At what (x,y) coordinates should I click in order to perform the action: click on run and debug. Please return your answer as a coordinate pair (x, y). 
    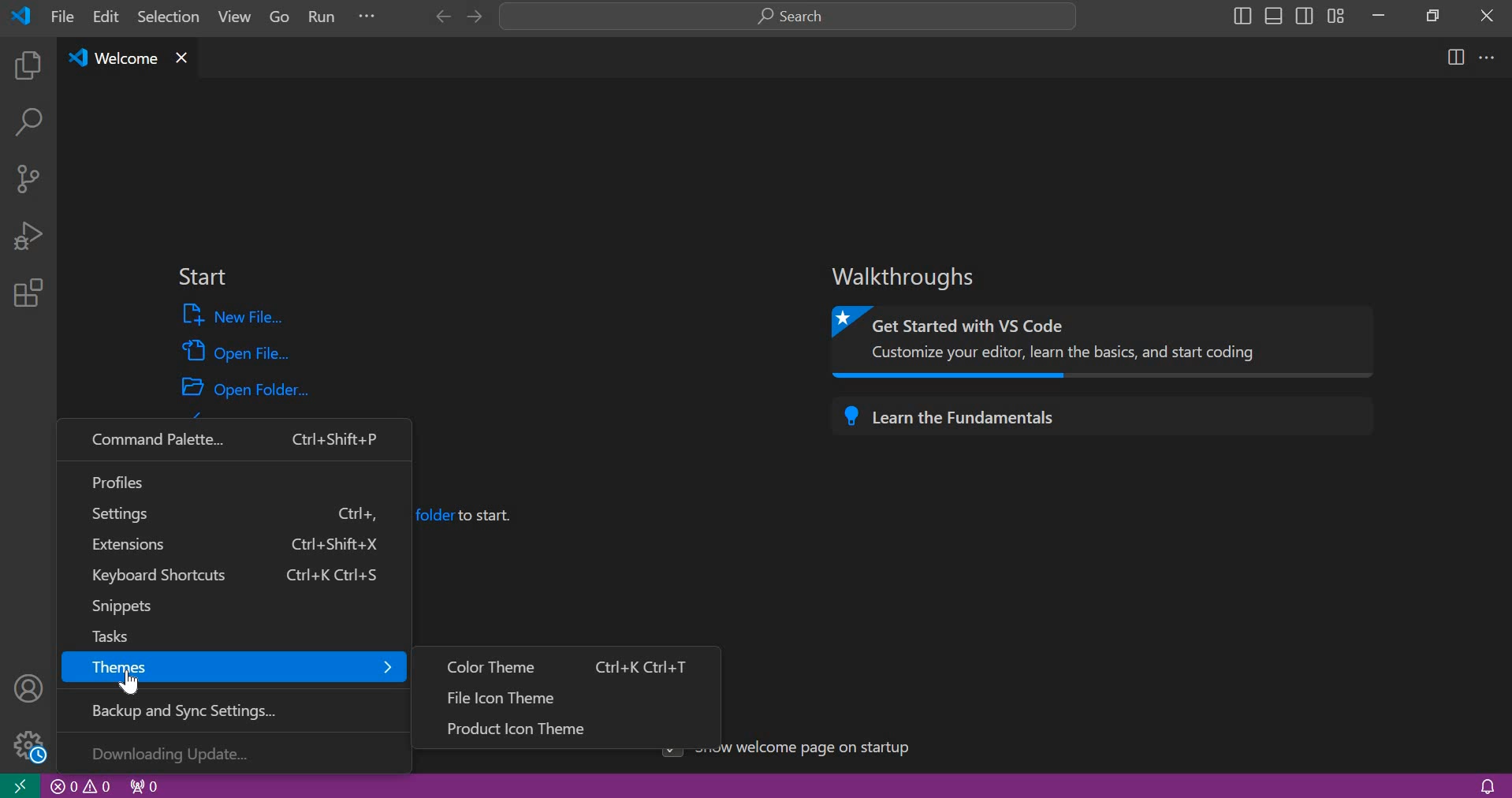
    Looking at the image, I should click on (28, 235).